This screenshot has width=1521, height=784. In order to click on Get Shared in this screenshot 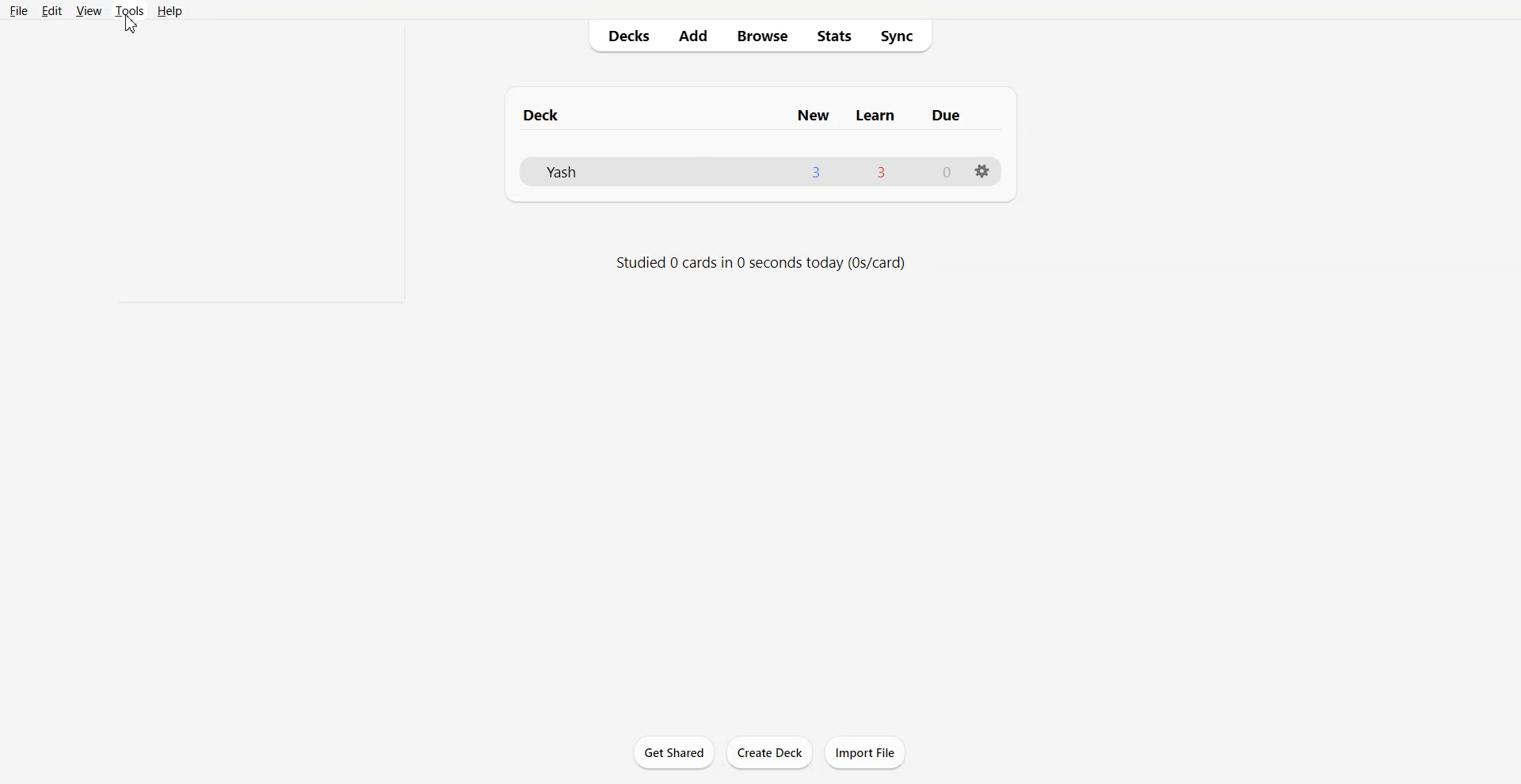, I will do `click(674, 752)`.